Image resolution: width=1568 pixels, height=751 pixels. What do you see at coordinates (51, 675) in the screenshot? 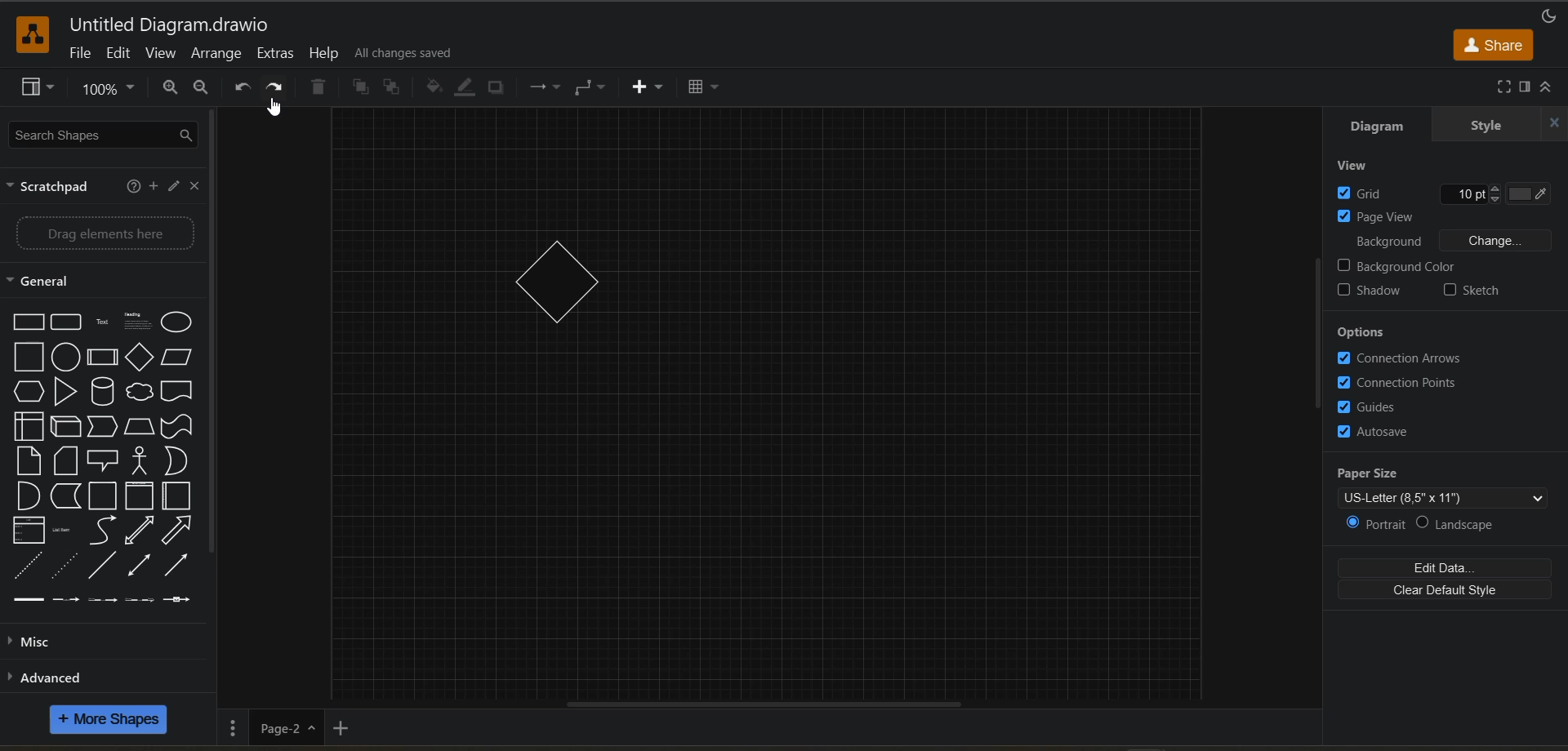
I see `advanced` at bounding box center [51, 675].